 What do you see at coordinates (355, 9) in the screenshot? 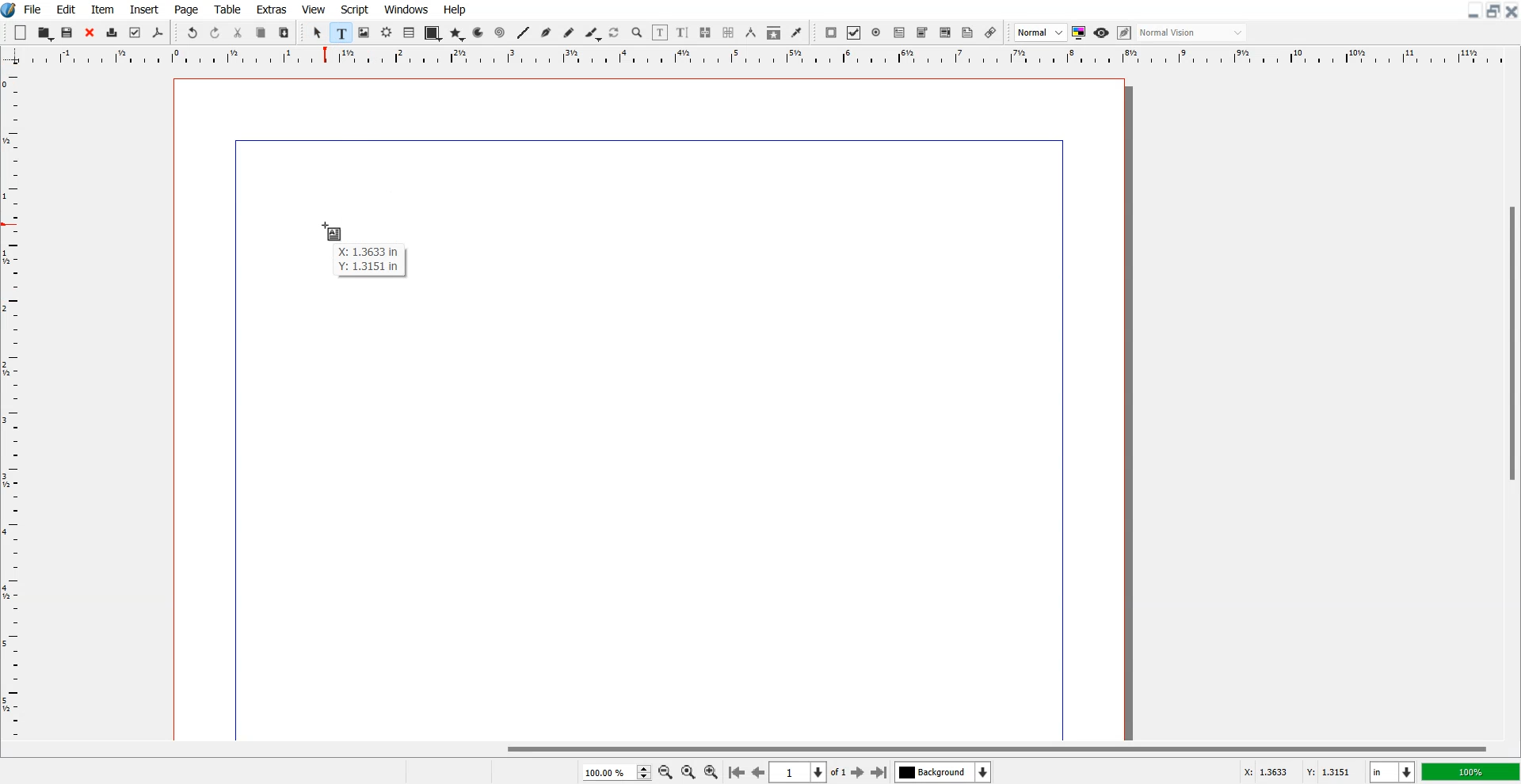
I see `Script` at bounding box center [355, 9].